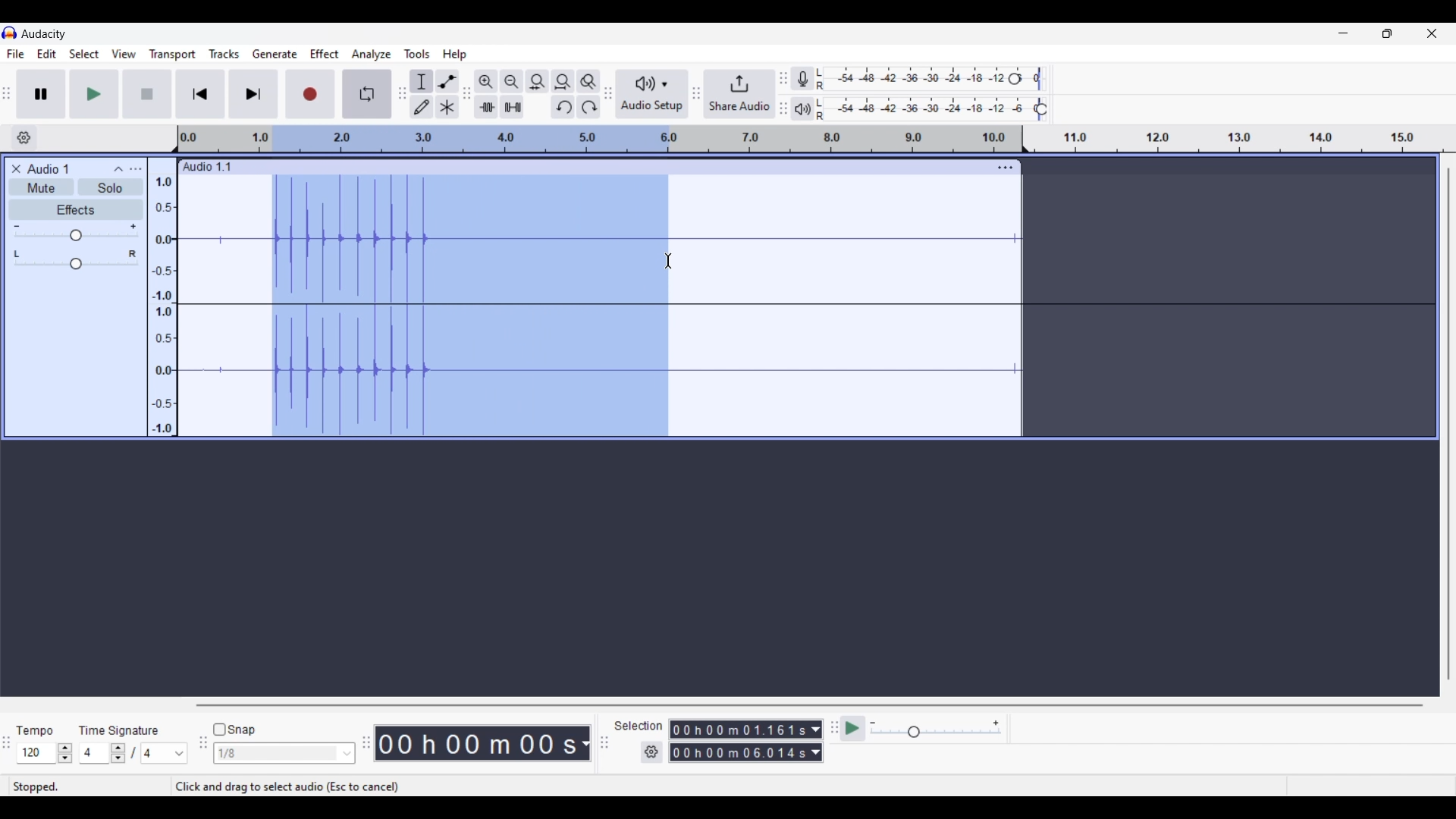 Image resolution: width=1456 pixels, height=819 pixels. I want to click on Scale, so click(600, 139).